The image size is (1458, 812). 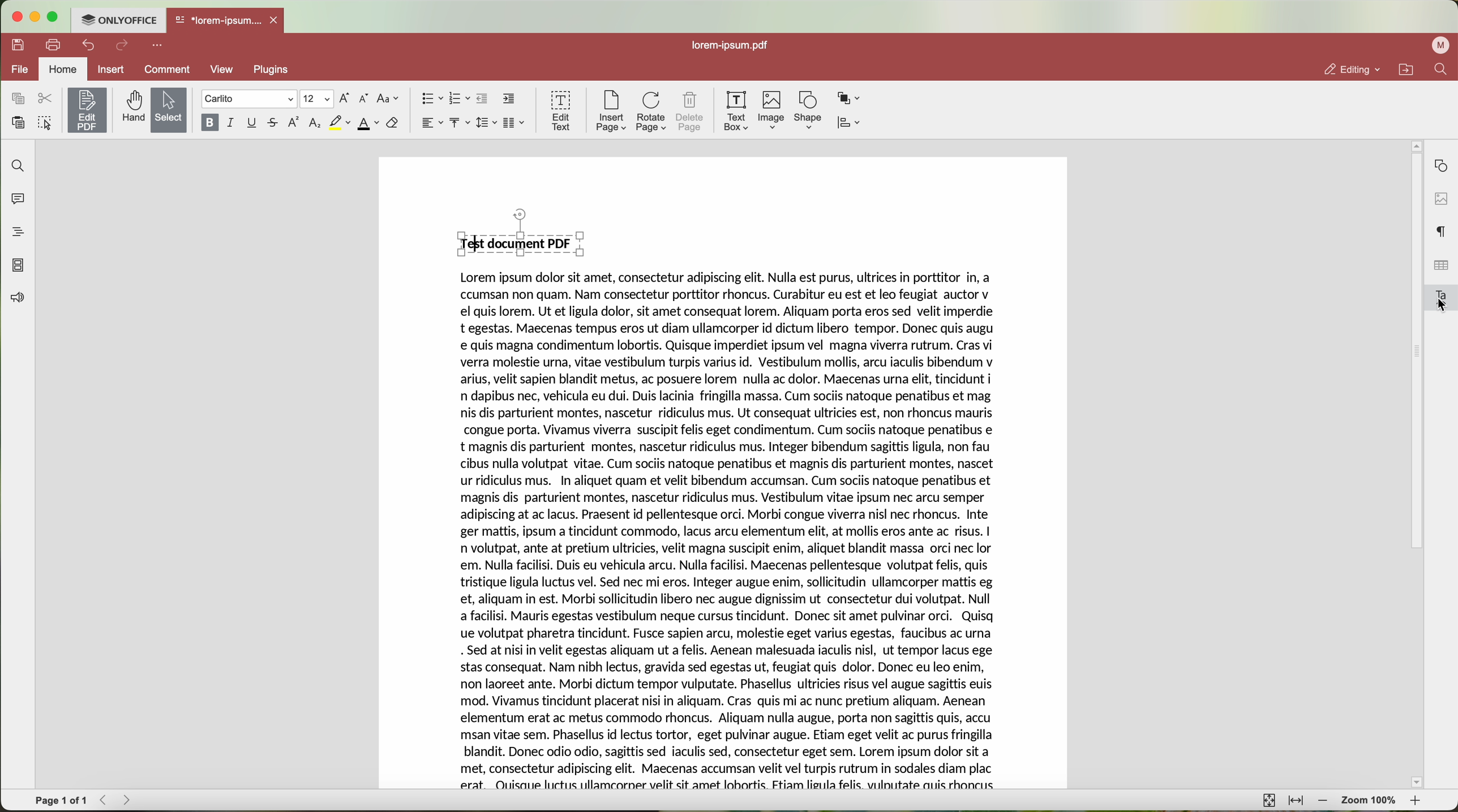 I want to click on close, so click(x=277, y=19).